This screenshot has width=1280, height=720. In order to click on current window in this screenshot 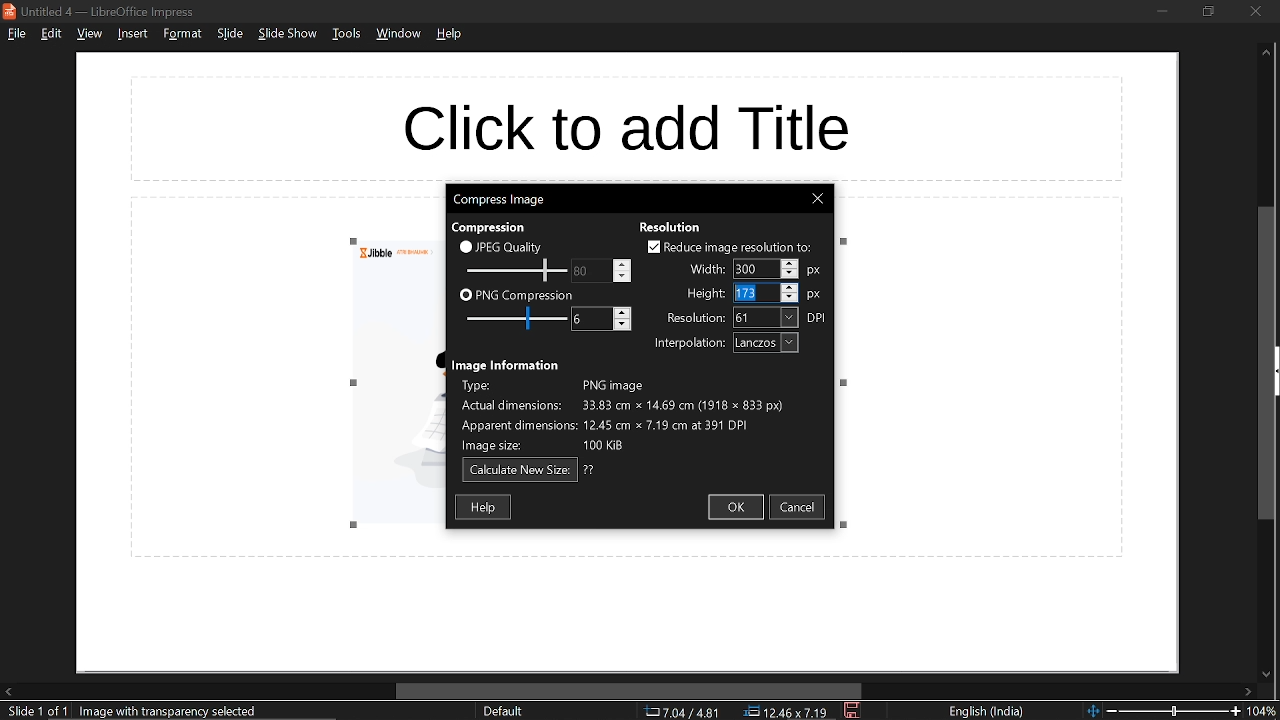, I will do `click(500, 200)`.